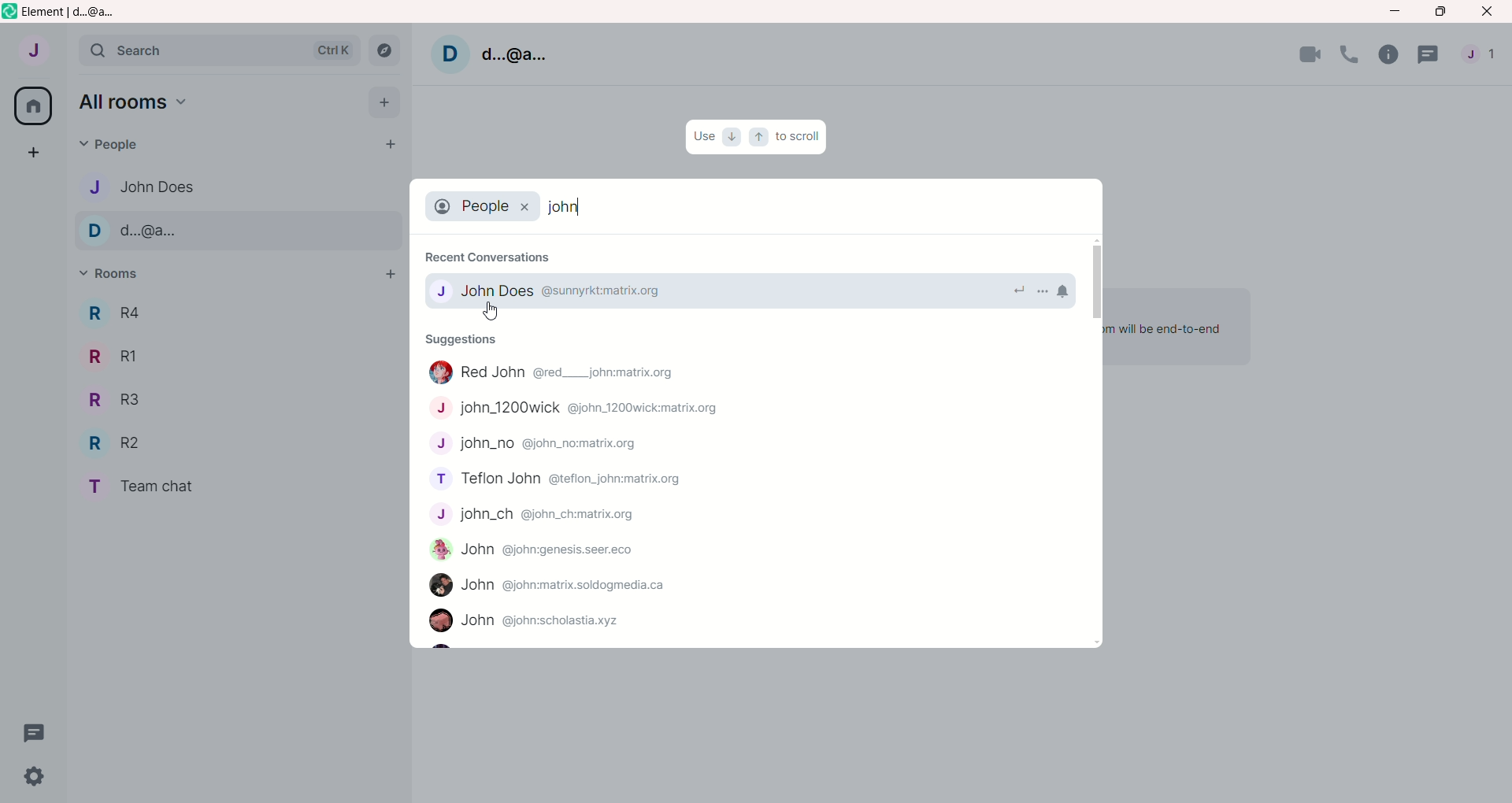 The width and height of the screenshot is (1512, 803). Describe the element at coordinates (115, 276) in the screenshot. I see `rooms` at that location.